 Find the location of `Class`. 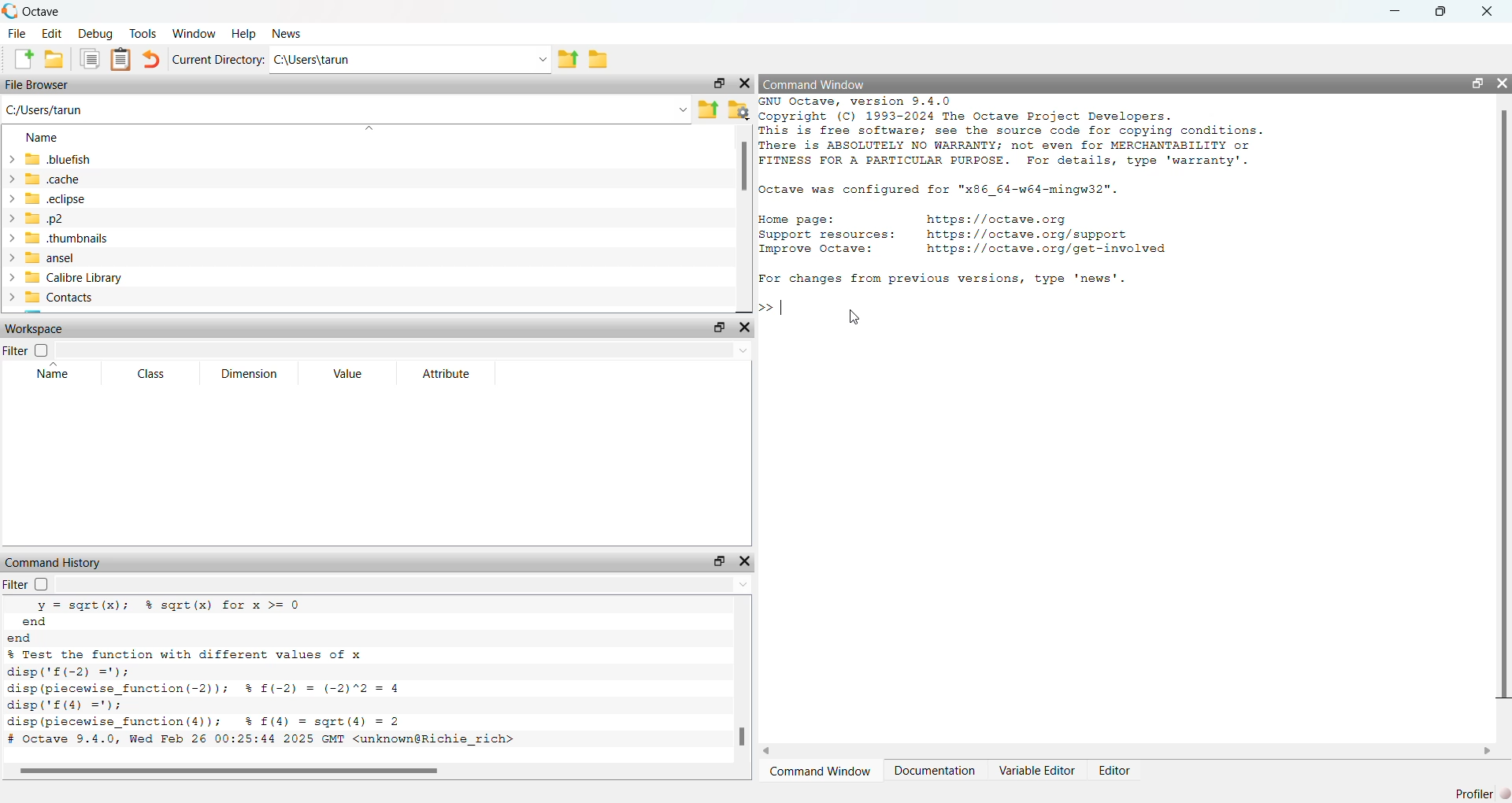

Class is located at coordinates (151, 373).